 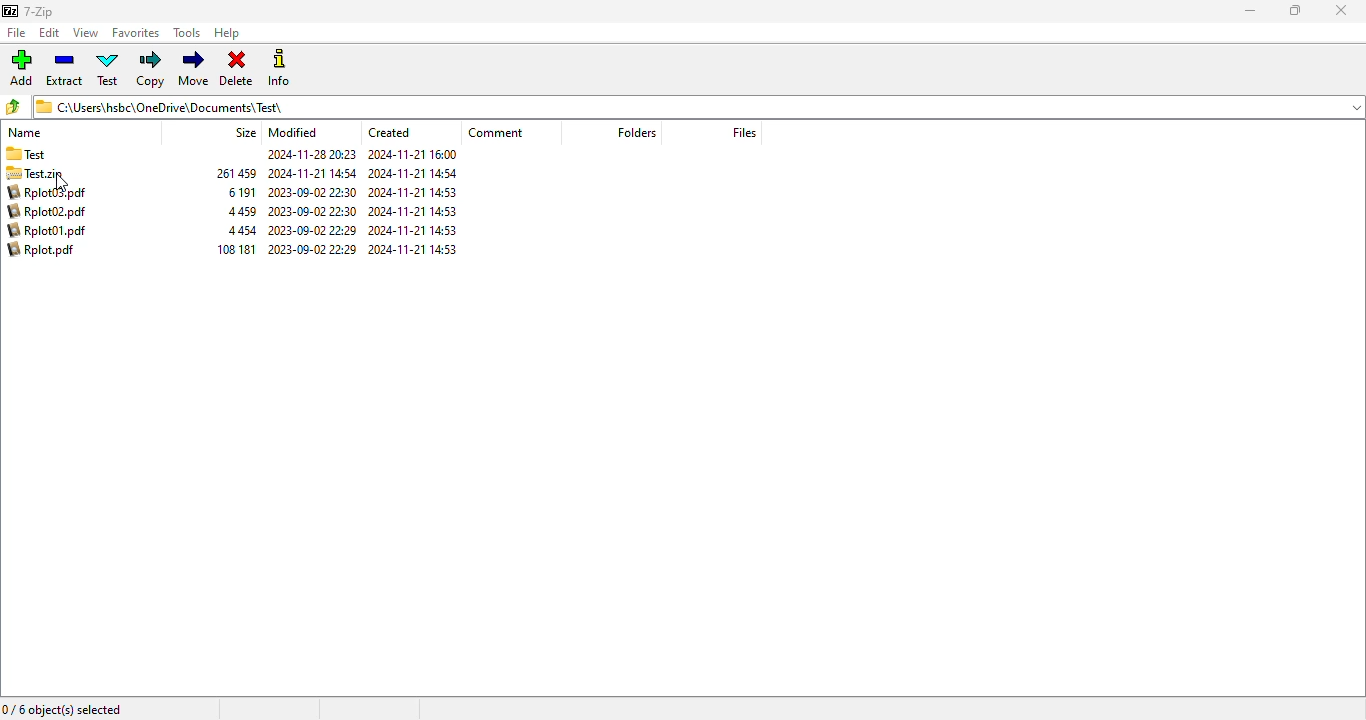 I want to click on size, so click(x=245, y=132).